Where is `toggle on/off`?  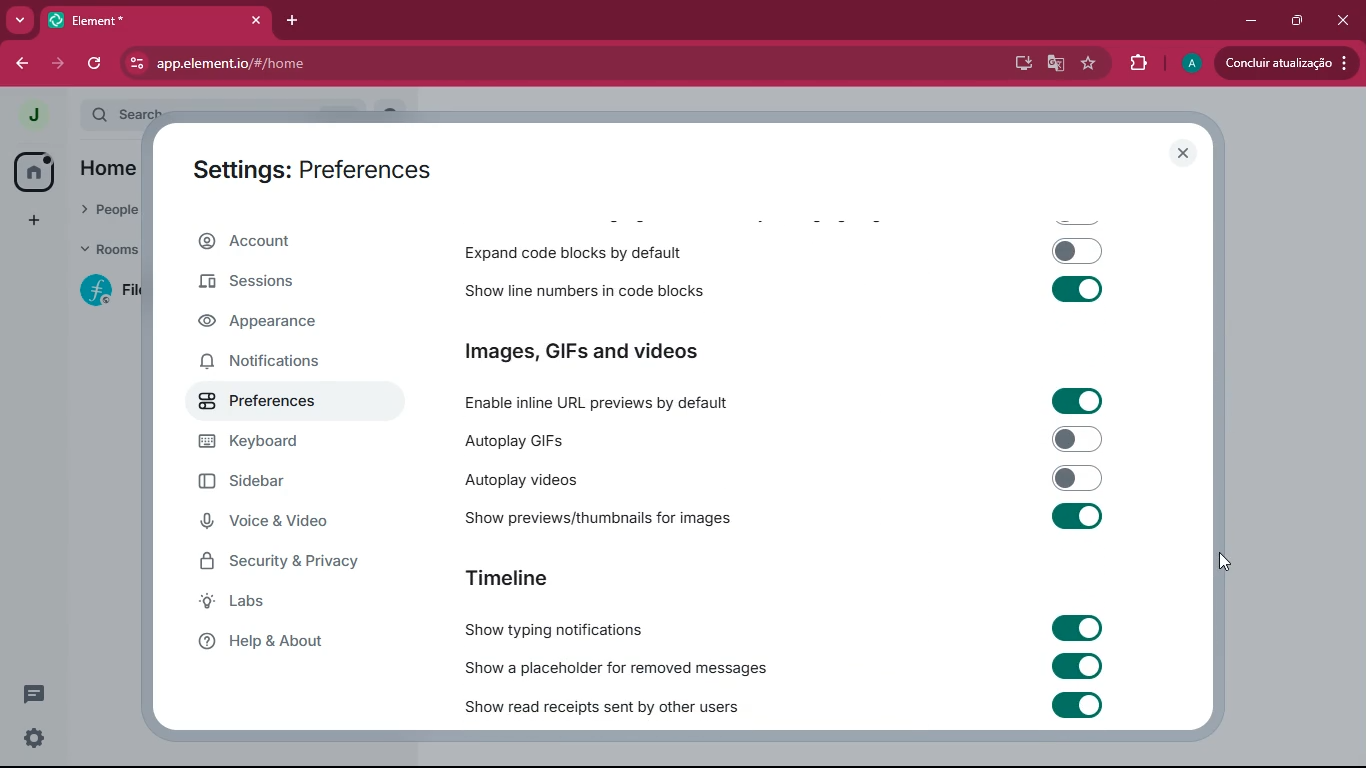
toggle on/off is located at coordinates (1076, 626).